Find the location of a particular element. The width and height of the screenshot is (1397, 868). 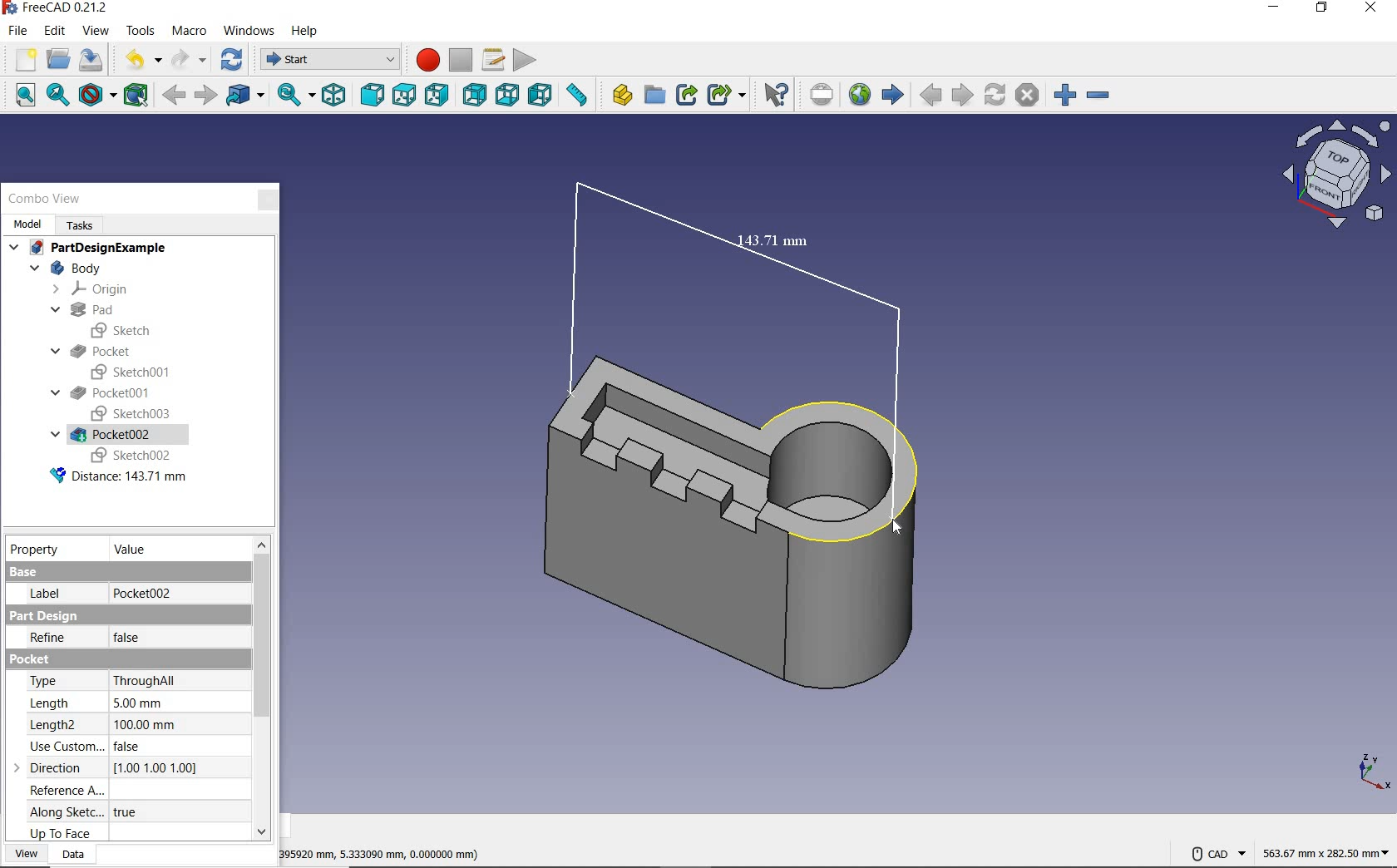

395920 mm,5.33300 mm,0.000000 mm) is located at coordinates (388, 849).